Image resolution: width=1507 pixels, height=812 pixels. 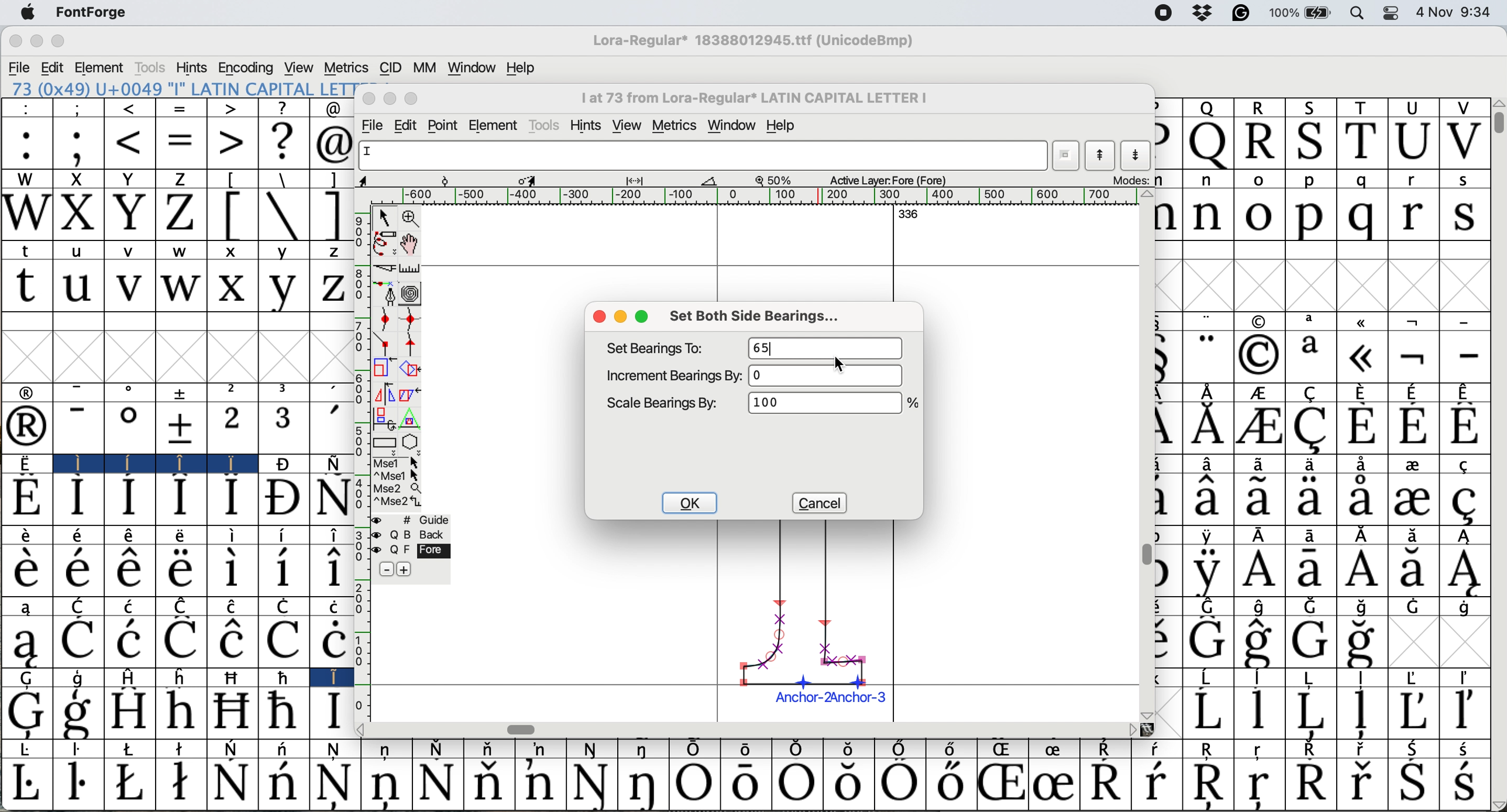 What do you see at coordinates (1414, 391) in the screenshot?
I see `Symbol` at bounding box center [1414, 391].